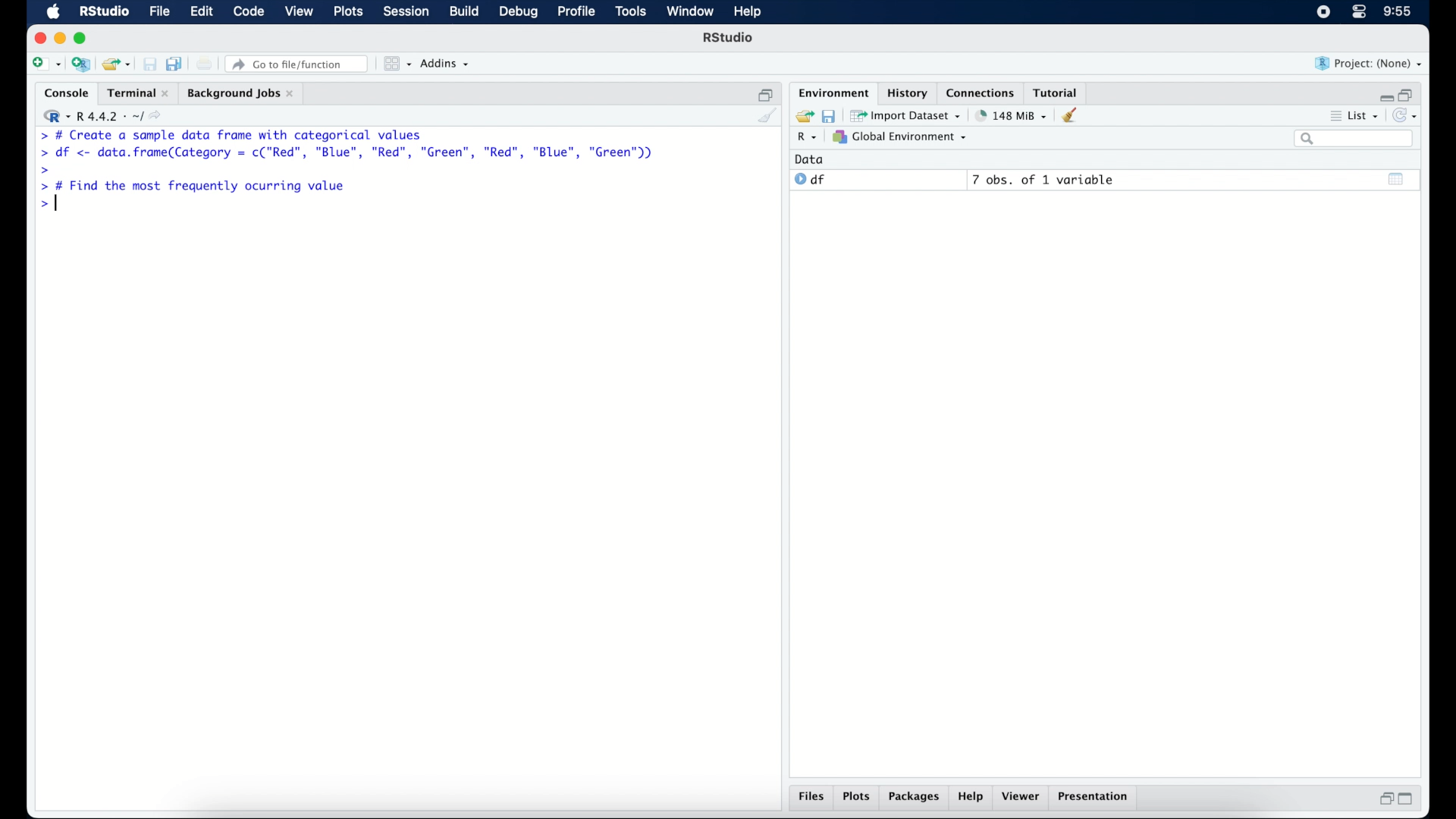  Describe the element at coordinates (810, 138) in the screenshot. I see `R` at that location.